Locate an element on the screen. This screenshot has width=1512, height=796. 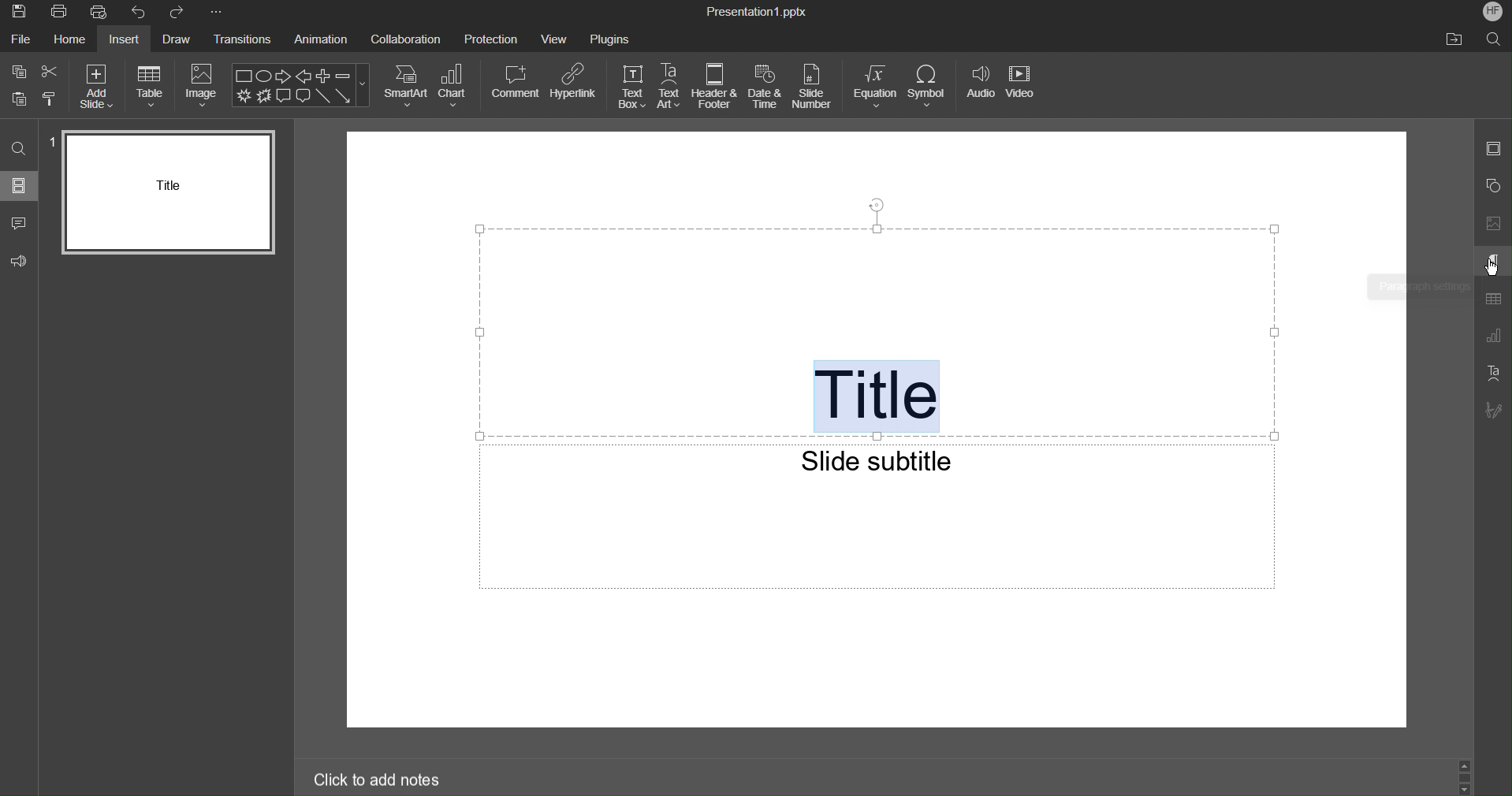
Slides is located at coordinates (20, 184).